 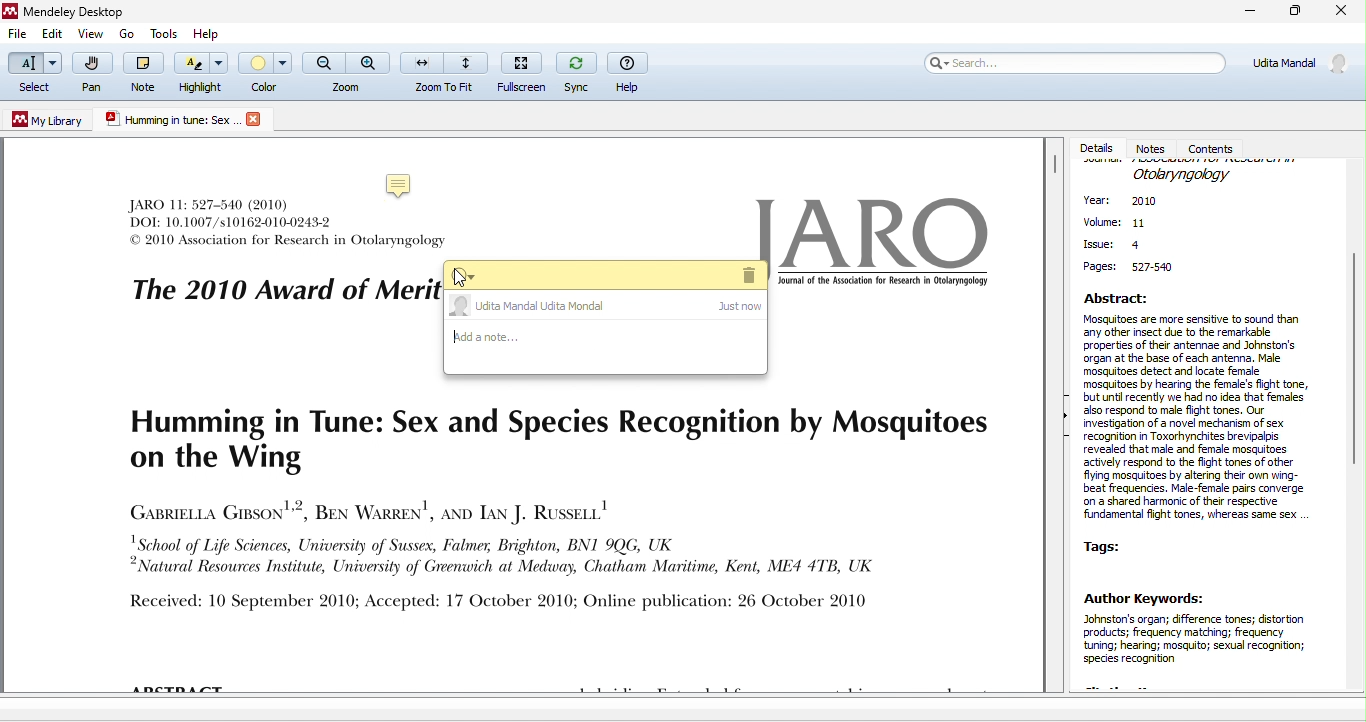 What do you see at coordinates (1098, 148) in the screenshot?
I see `details` at bounding box center [1098, 148].